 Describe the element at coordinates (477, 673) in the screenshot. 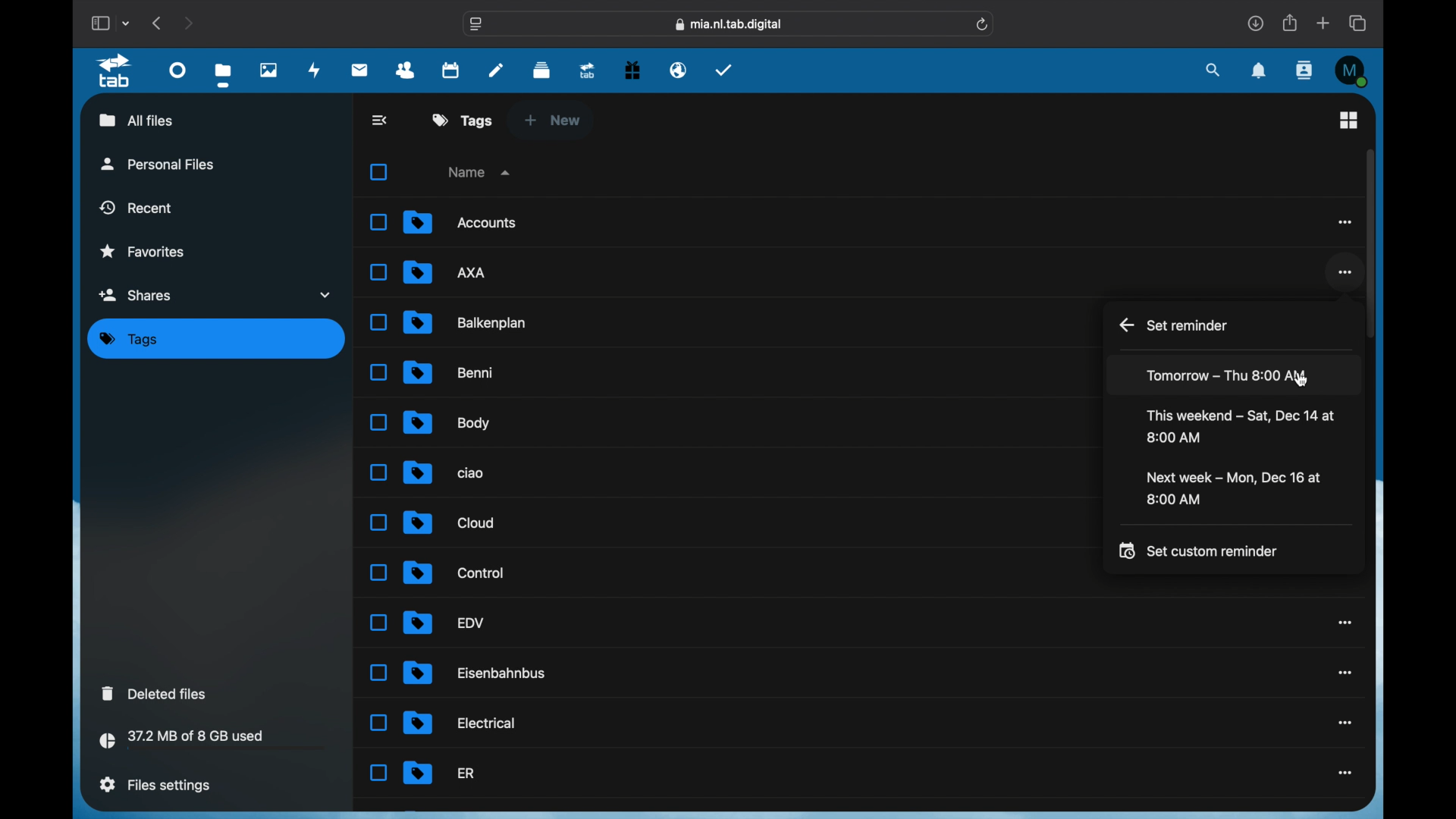

I see `file` at that location.